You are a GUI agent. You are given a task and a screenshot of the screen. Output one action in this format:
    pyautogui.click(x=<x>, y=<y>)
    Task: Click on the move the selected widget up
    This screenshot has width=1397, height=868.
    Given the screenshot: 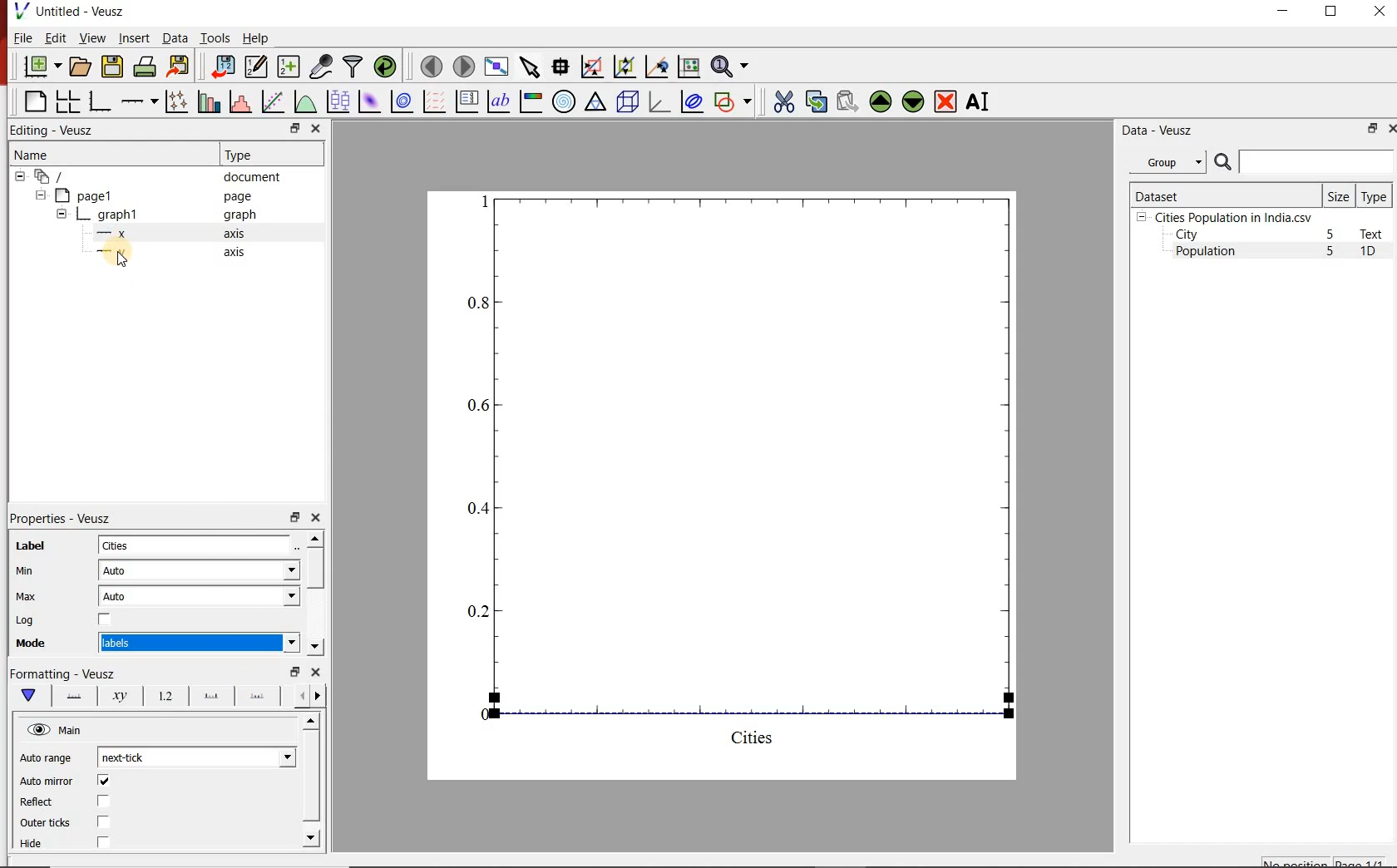 What is the action you would take?
    pyautogui.click(x=881, y=101)
    